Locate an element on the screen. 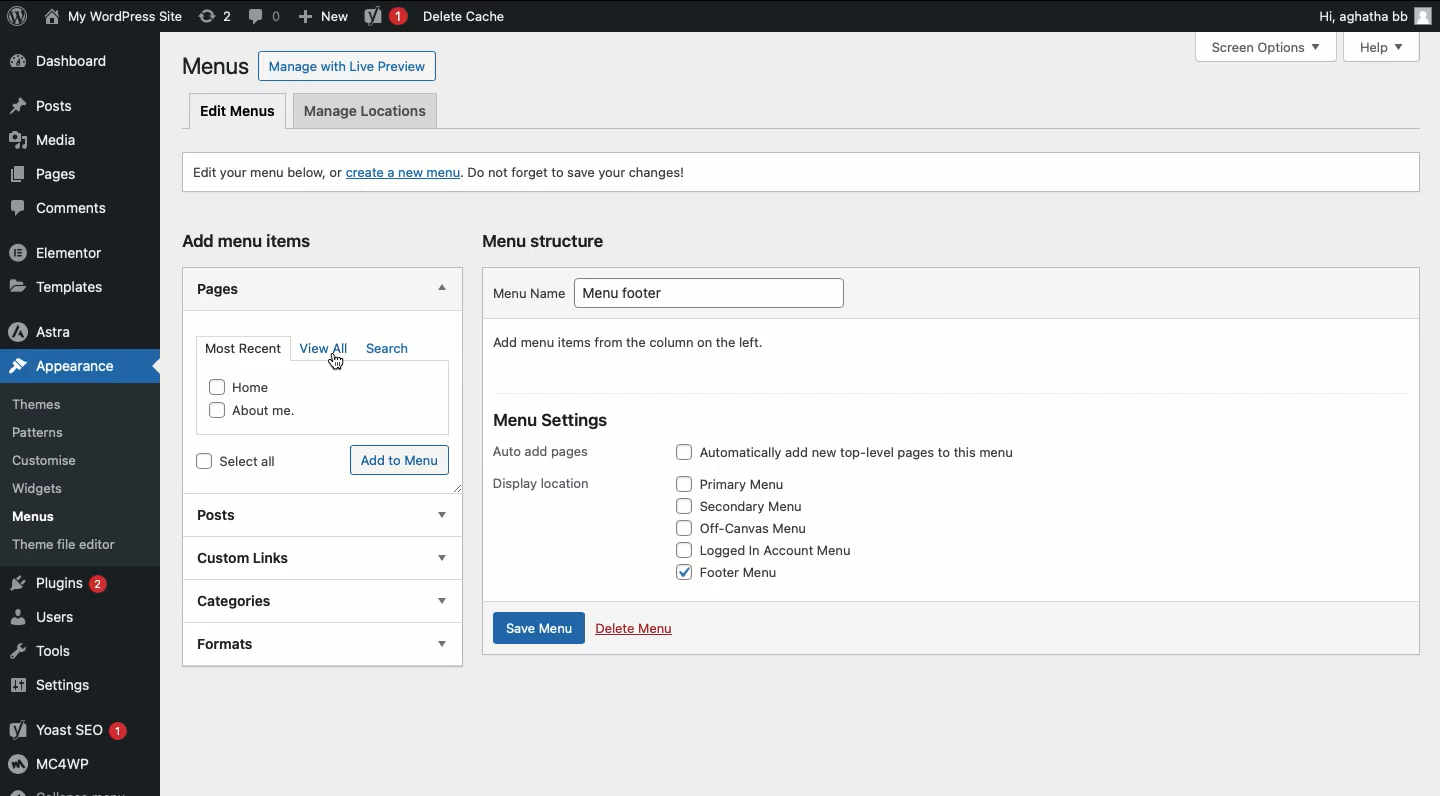 This screenshot has height=796, width=1440. Customise is located at coordinates (43, 462).